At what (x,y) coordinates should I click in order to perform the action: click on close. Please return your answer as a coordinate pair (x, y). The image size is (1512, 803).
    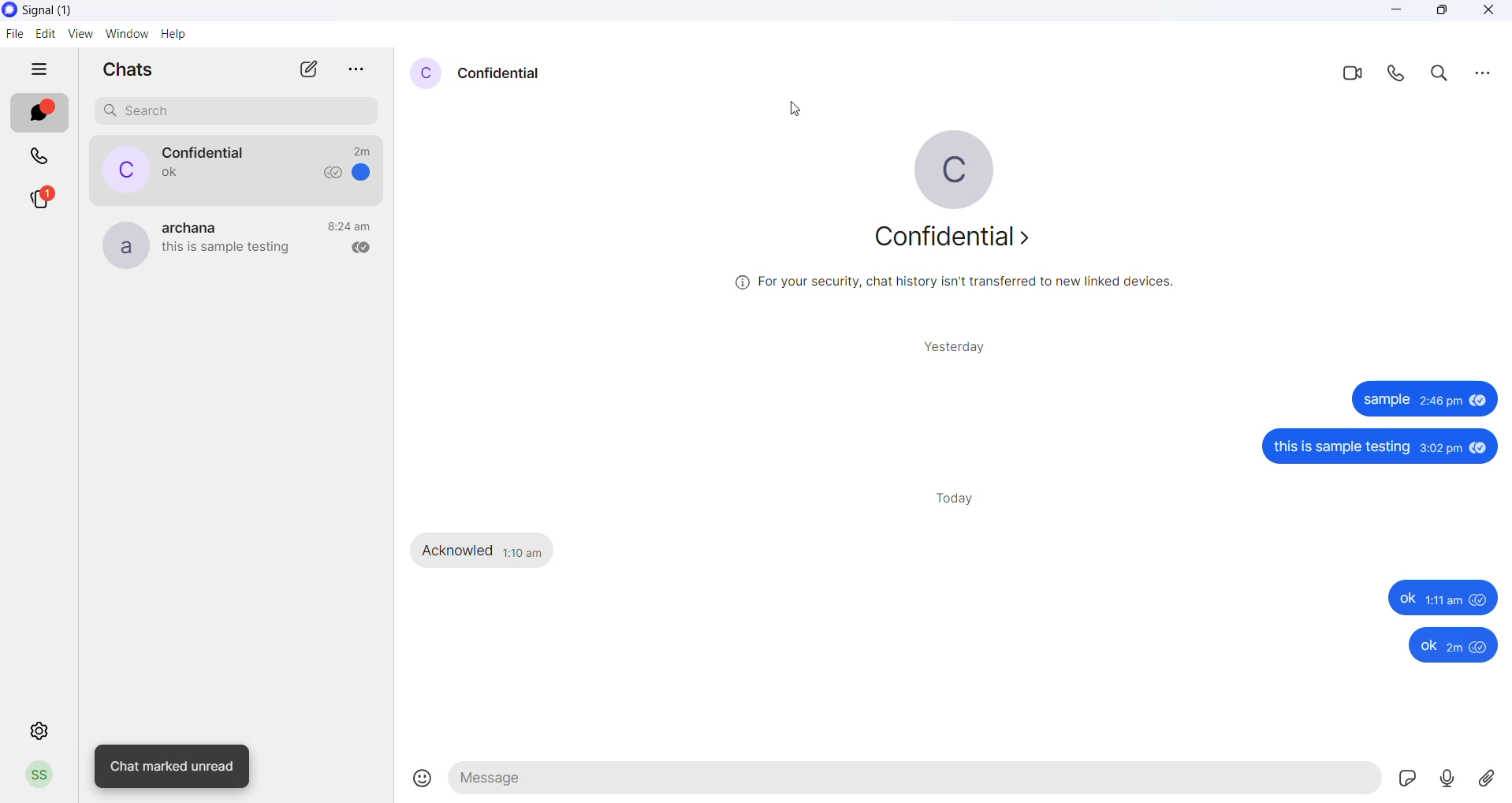
    Looking at the image, I should click on (1487, 13).